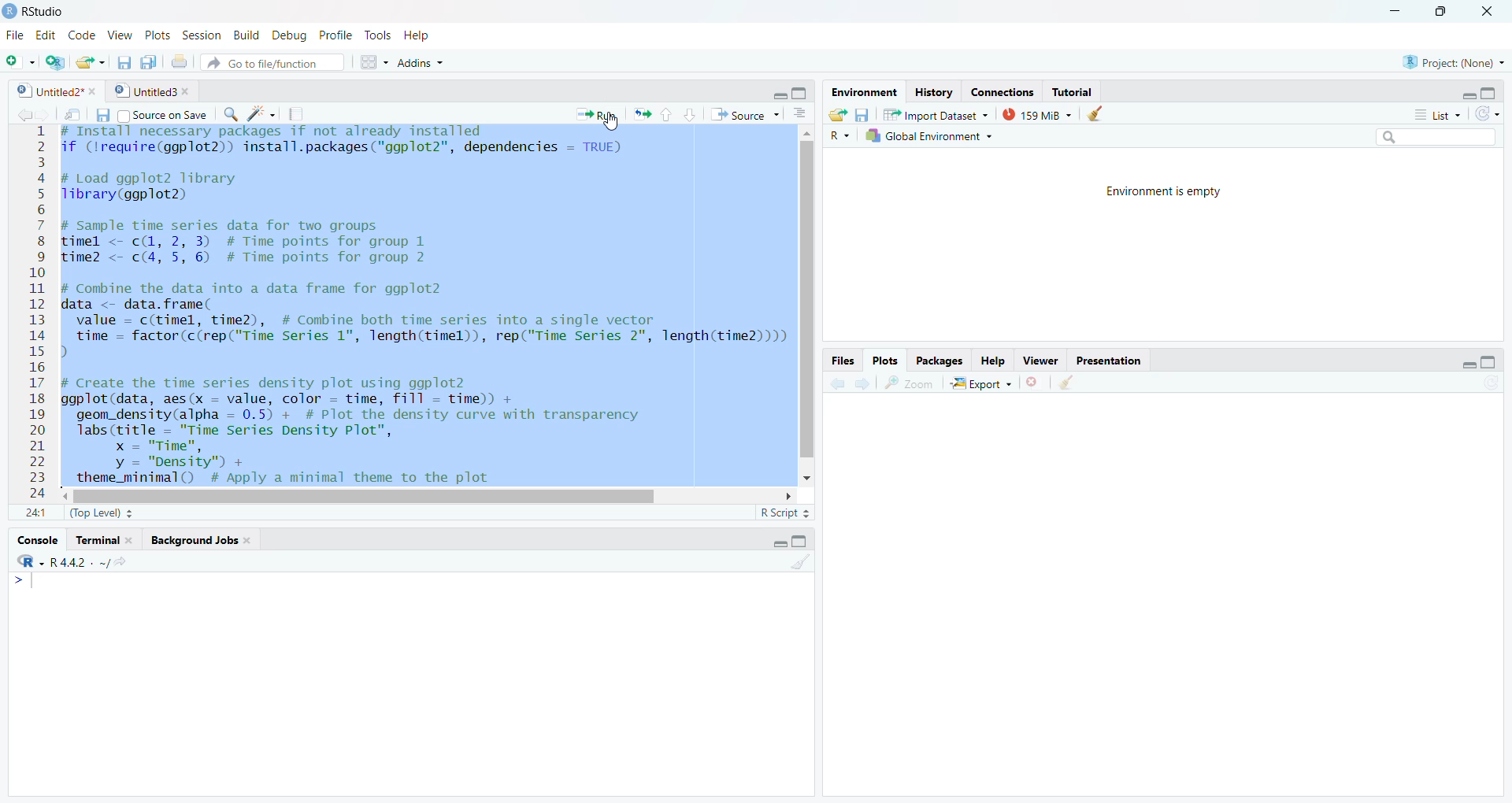 The width and height of the screenshot is (1512, 803). I want to click on # Combine the data into a data frame for ggplot2
data <- data. frame( I

value = c(timel, time2), # Combine both time series into a single vector

time = factor(c(rep("Time Series 1", length(timel)), rep("Time Series 2", length(time2))))
b), so click(424, 320).